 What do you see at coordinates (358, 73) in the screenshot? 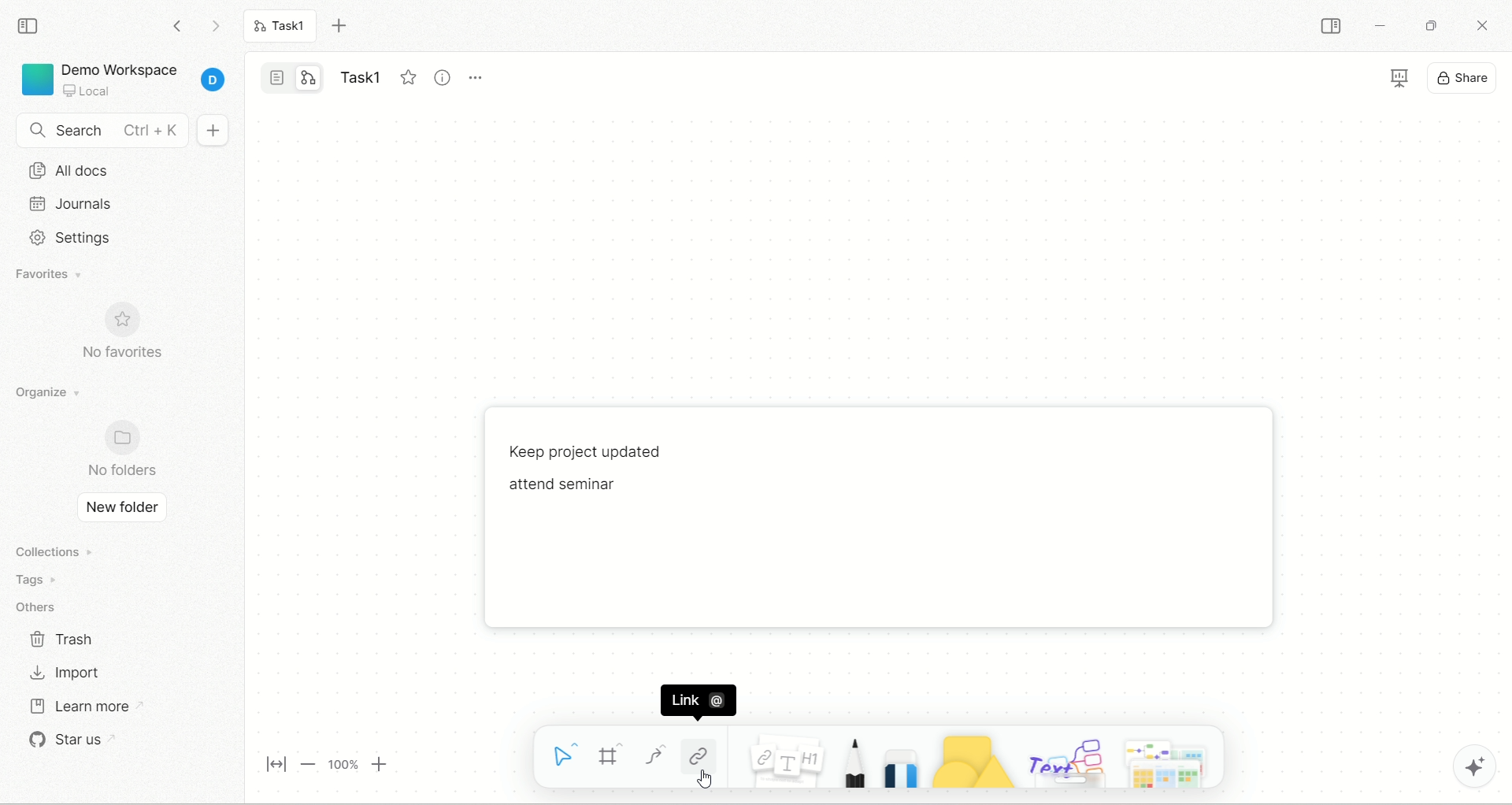
I see `title` at bounding box center [358, 73].